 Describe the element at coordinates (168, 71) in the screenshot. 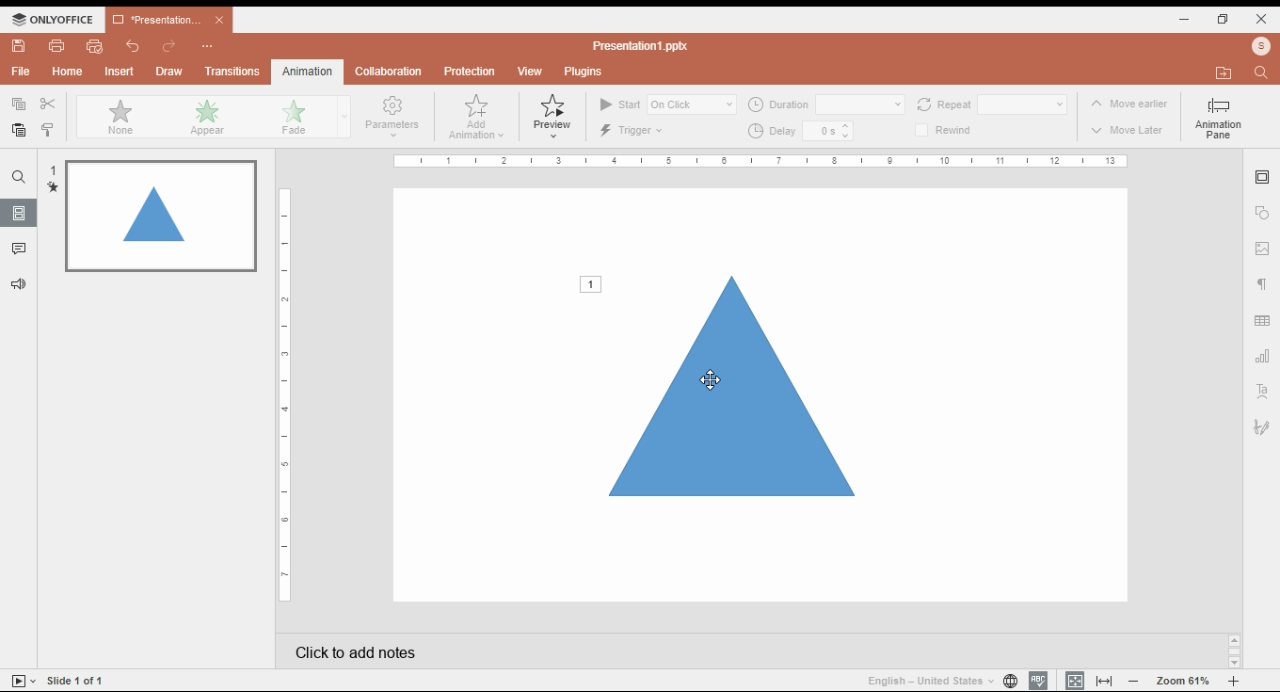

I see `draw` at that location.